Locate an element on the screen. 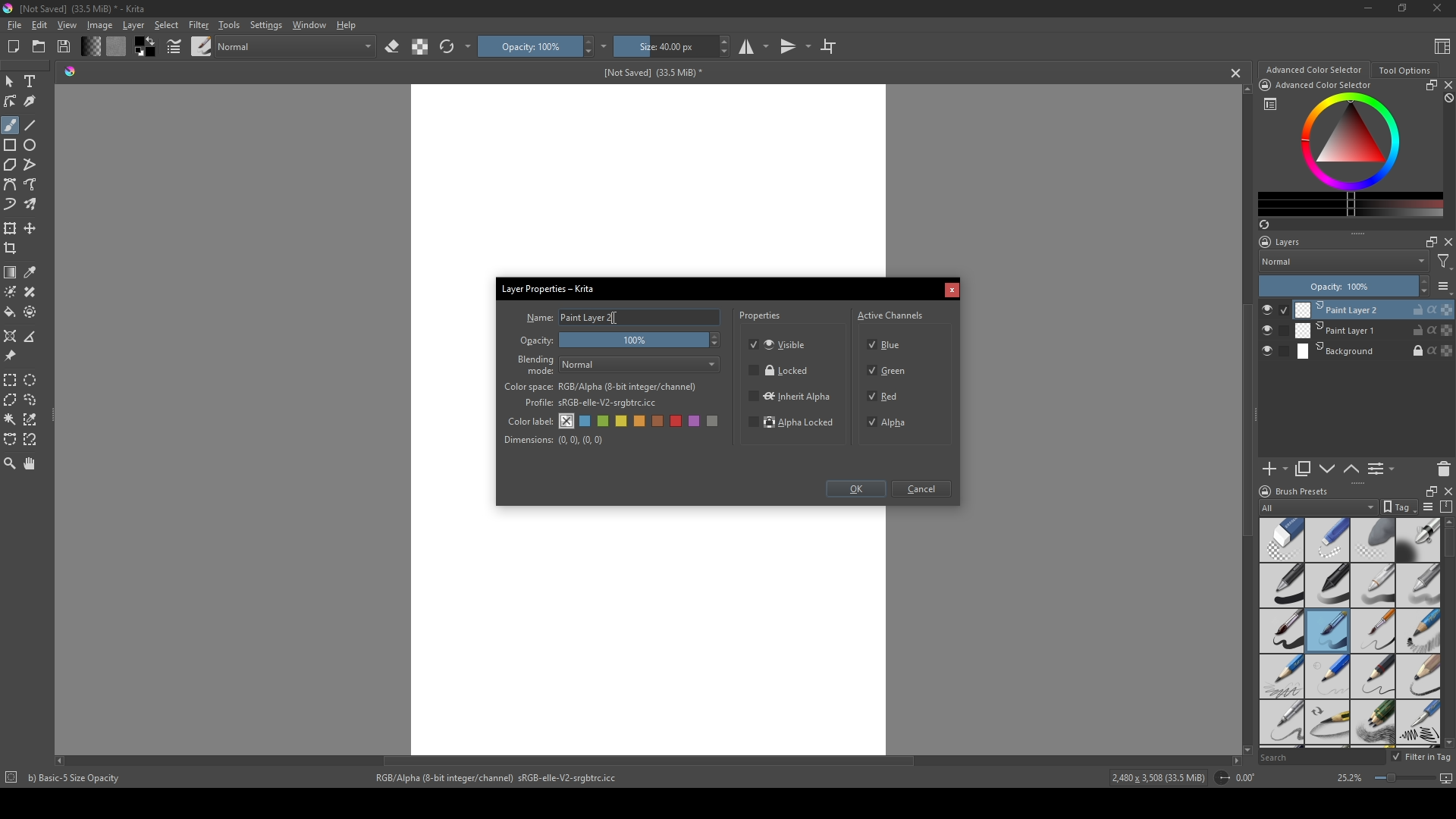 This screenshot has height=819, width=1456. List is located at coordinates (1384, 469).